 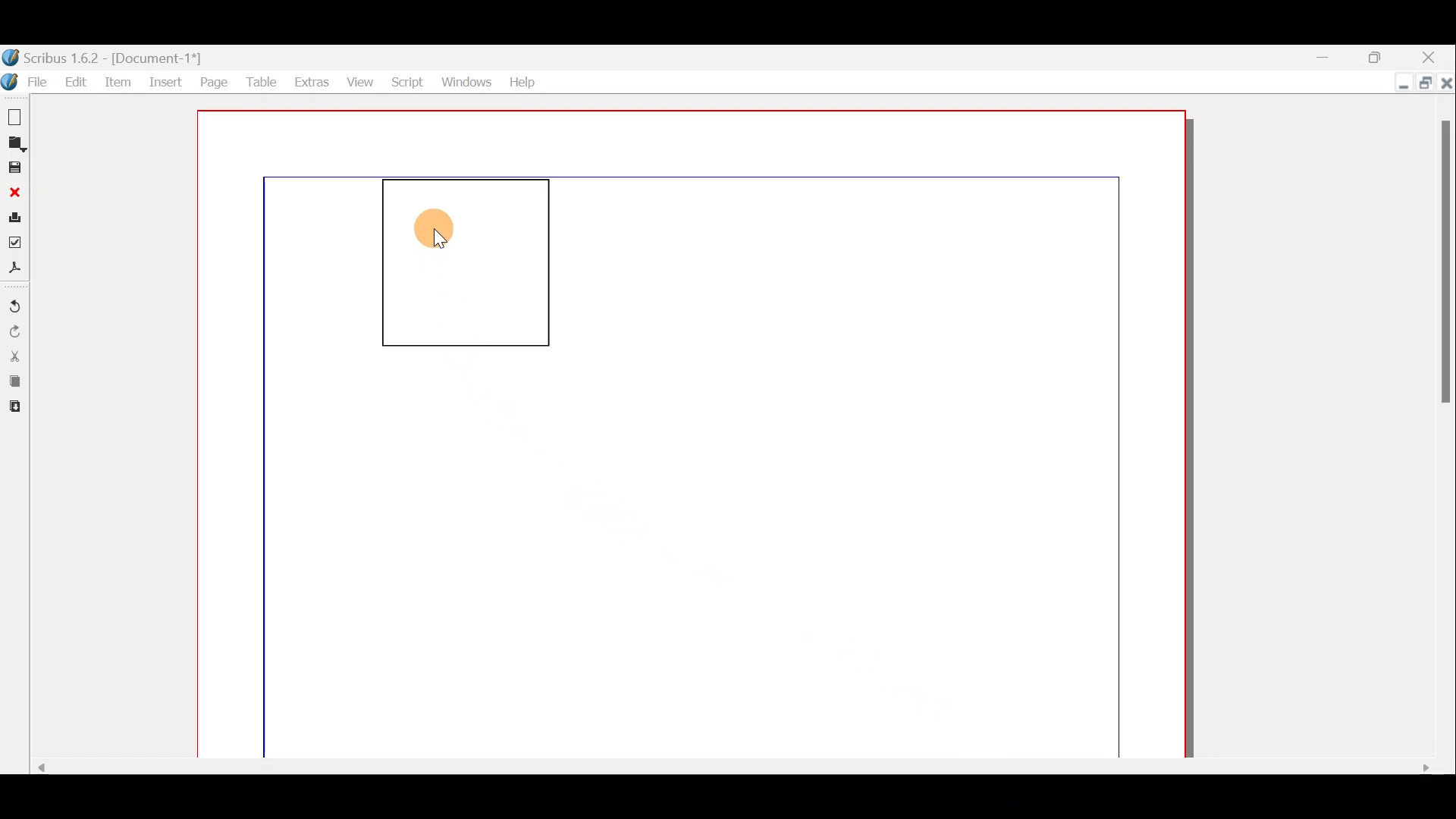 I want to click on Insert, so click(x=166, y=80).